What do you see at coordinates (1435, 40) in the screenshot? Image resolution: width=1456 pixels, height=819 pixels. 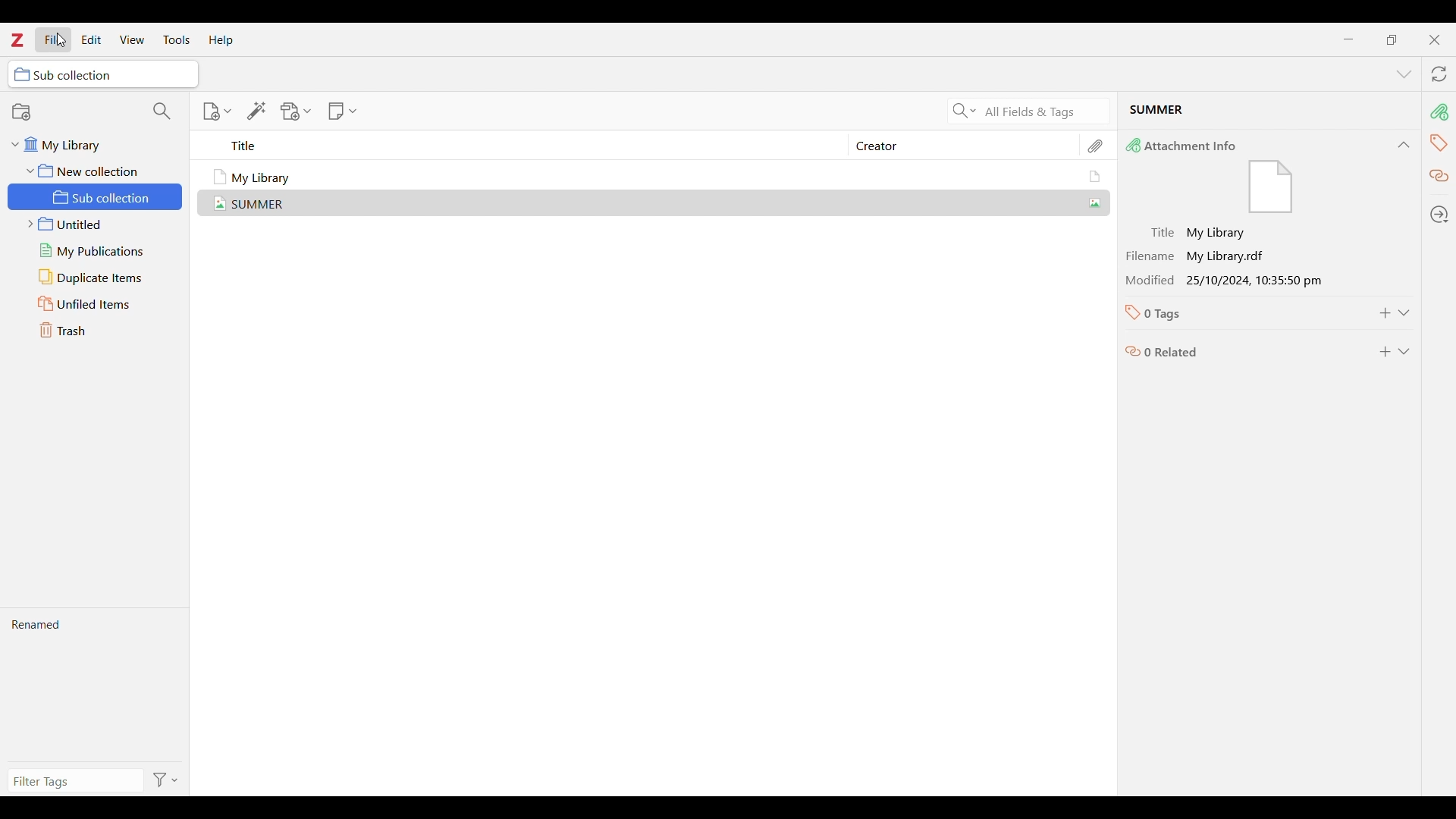 I see `Close ` at bounding box center [1435, 40].